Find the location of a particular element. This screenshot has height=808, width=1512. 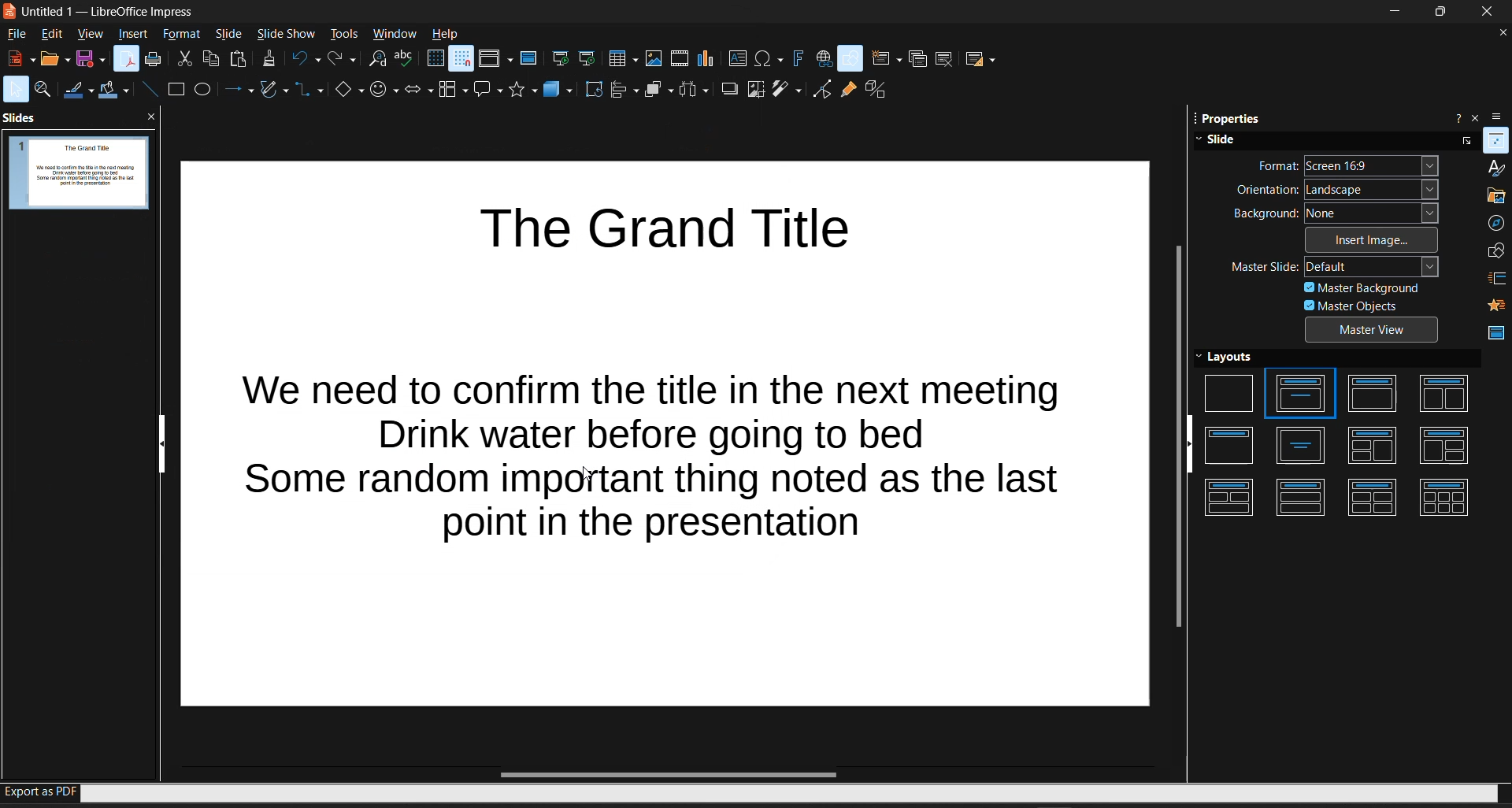

open is located at coordinates (55, 60).